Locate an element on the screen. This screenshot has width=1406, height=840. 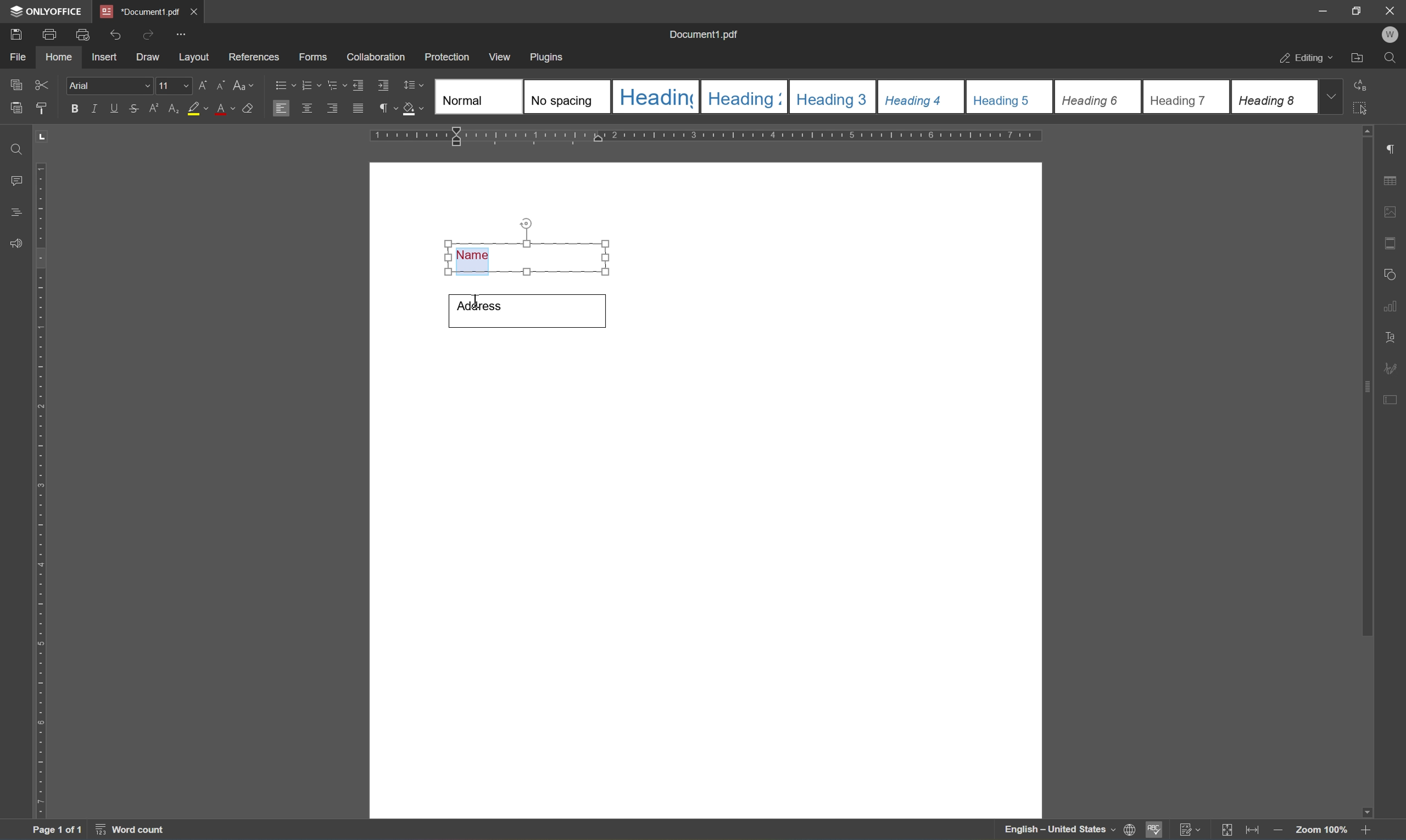
drop down is located at coordinates (1335, 97).